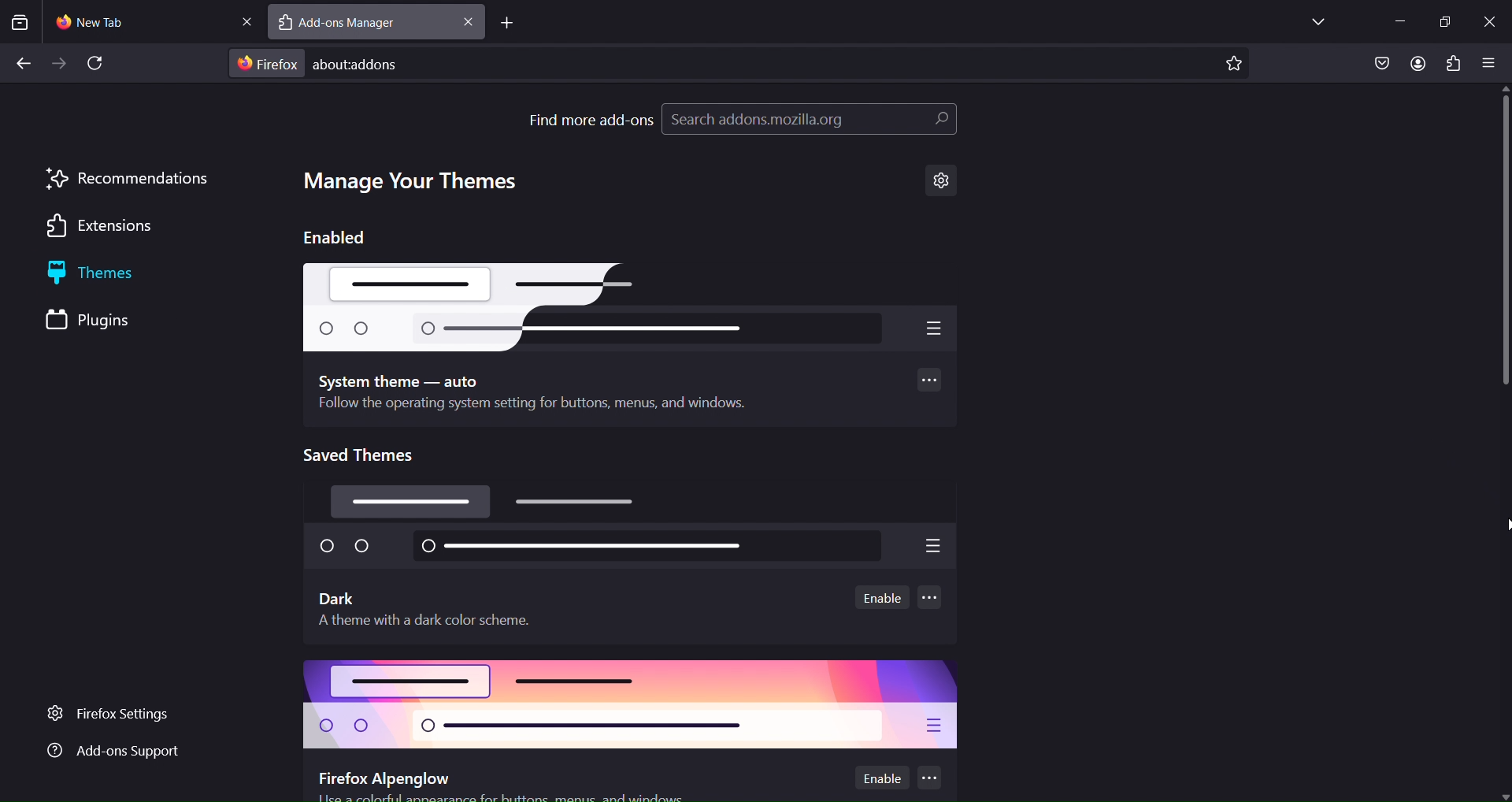 The image size is (1512, 802). Describe the element at coordinates (469, 22) in the screenshot. I see `close tab` at that location.